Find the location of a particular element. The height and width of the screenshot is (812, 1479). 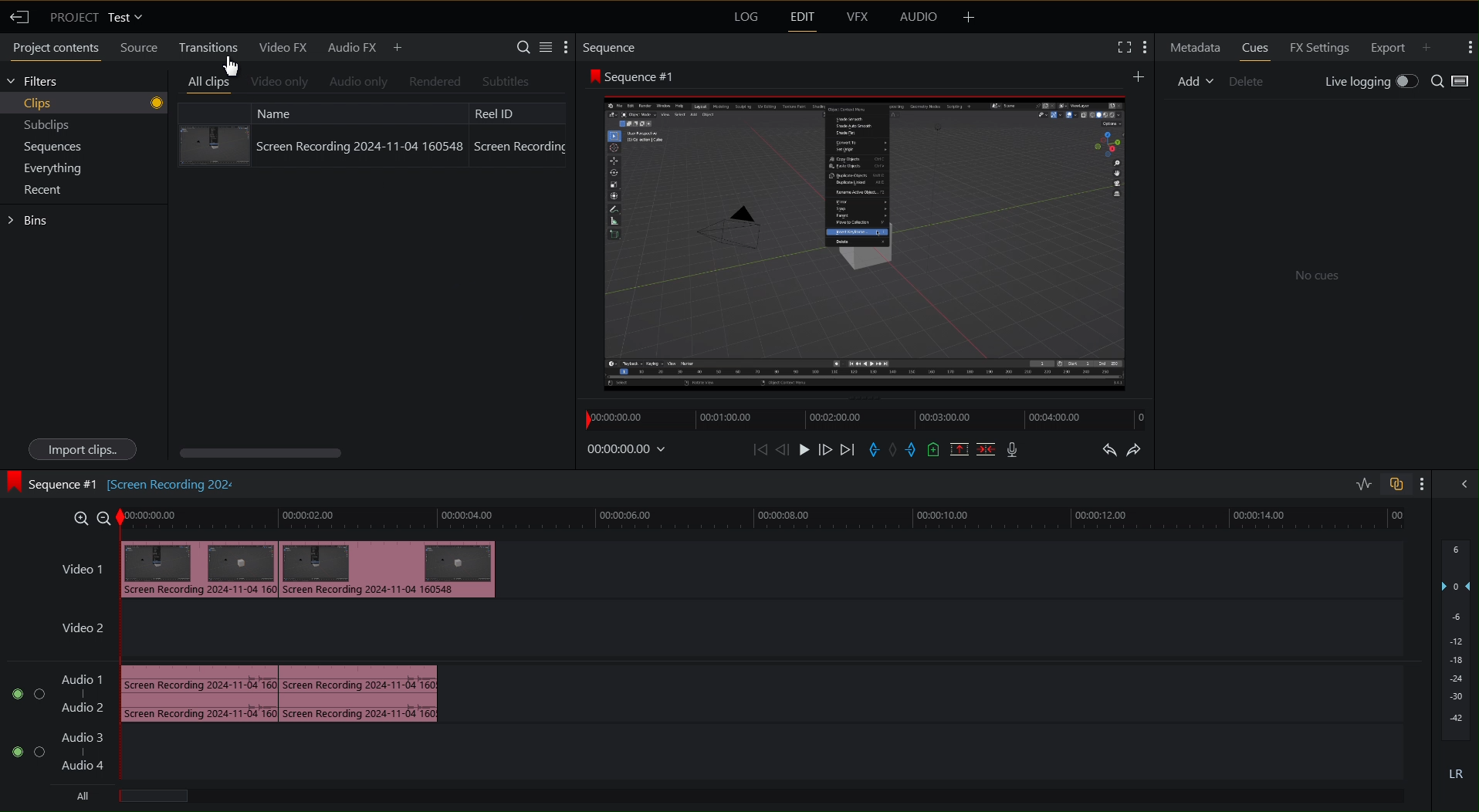

Audio Track 2 is located at coordinates (73, 753).